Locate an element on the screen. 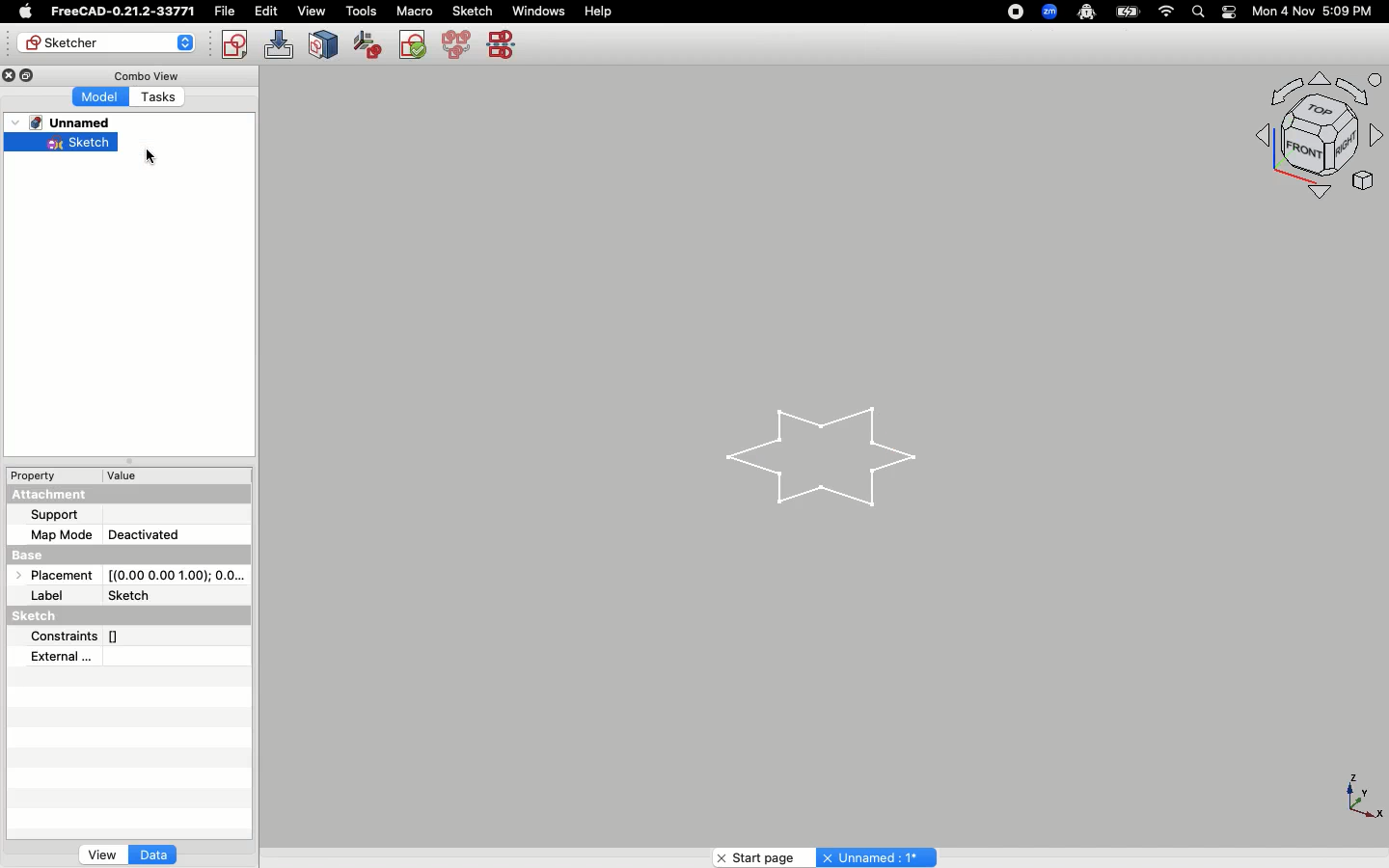  Create sketch is located at coordinates (233, 43).